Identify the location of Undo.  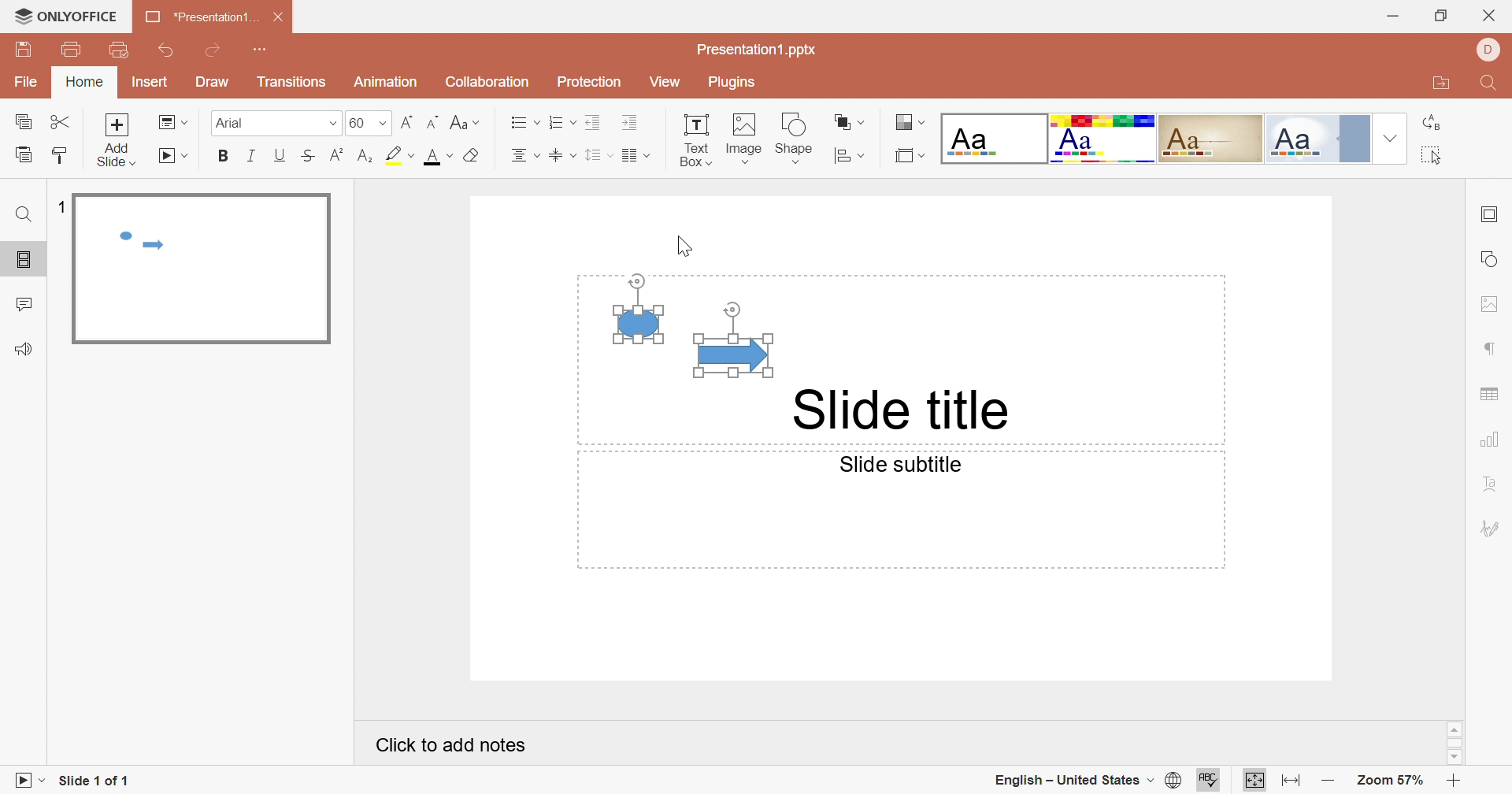
(167, 53).